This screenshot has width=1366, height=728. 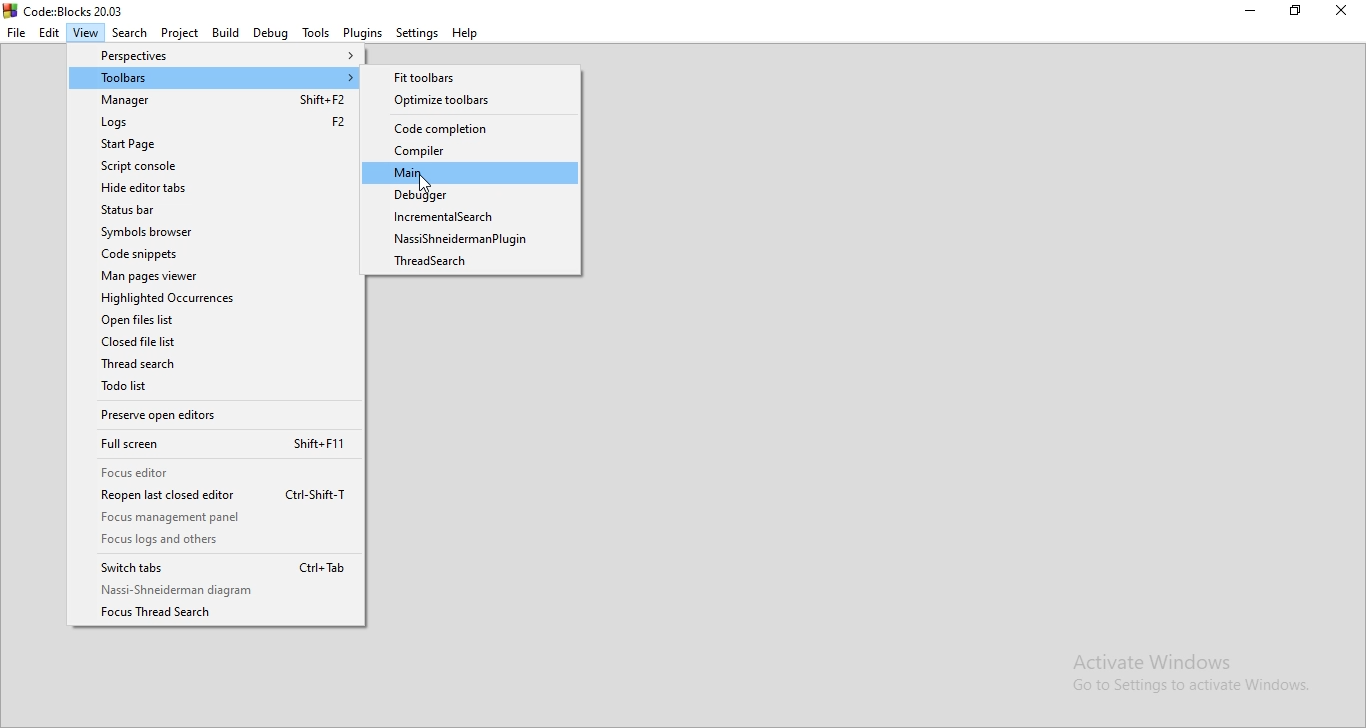 What do you see at coordinates (466, 32) in the screenshot?
I see `Help` at bounding box center [466, 32].